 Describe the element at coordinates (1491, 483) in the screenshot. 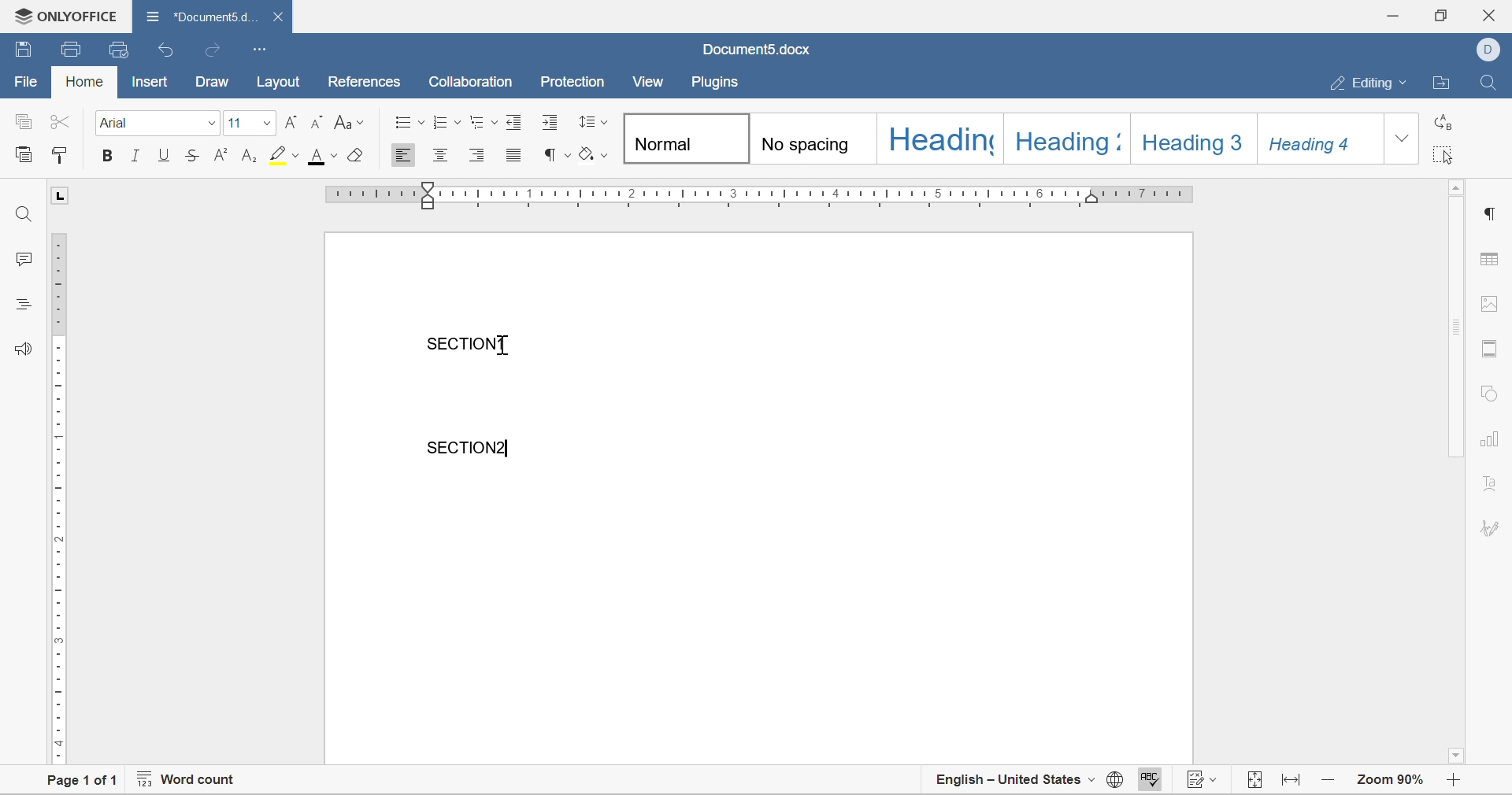

I see `text art settings` at that location.